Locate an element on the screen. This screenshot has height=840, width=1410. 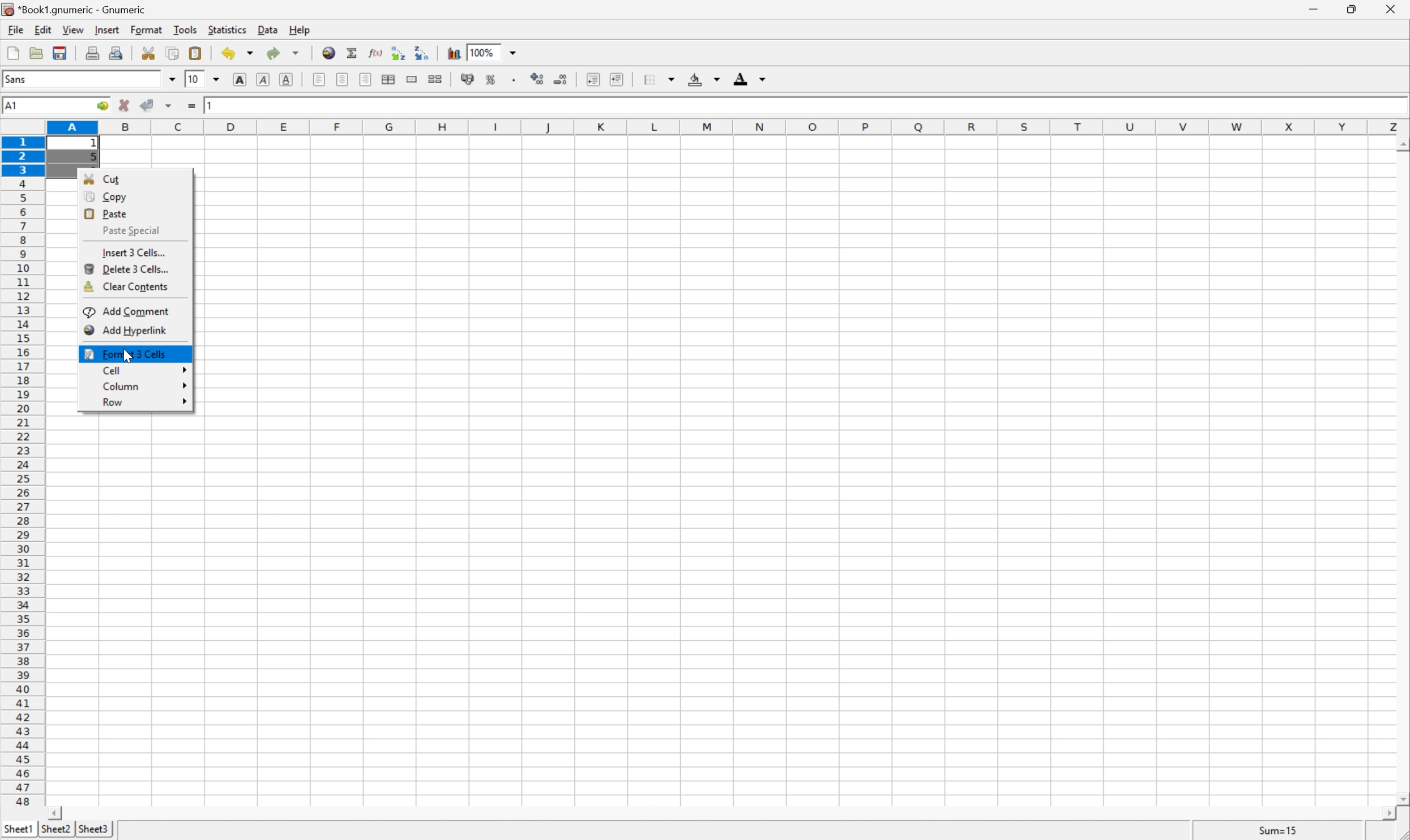
1 is located at coordinates (212, 104).